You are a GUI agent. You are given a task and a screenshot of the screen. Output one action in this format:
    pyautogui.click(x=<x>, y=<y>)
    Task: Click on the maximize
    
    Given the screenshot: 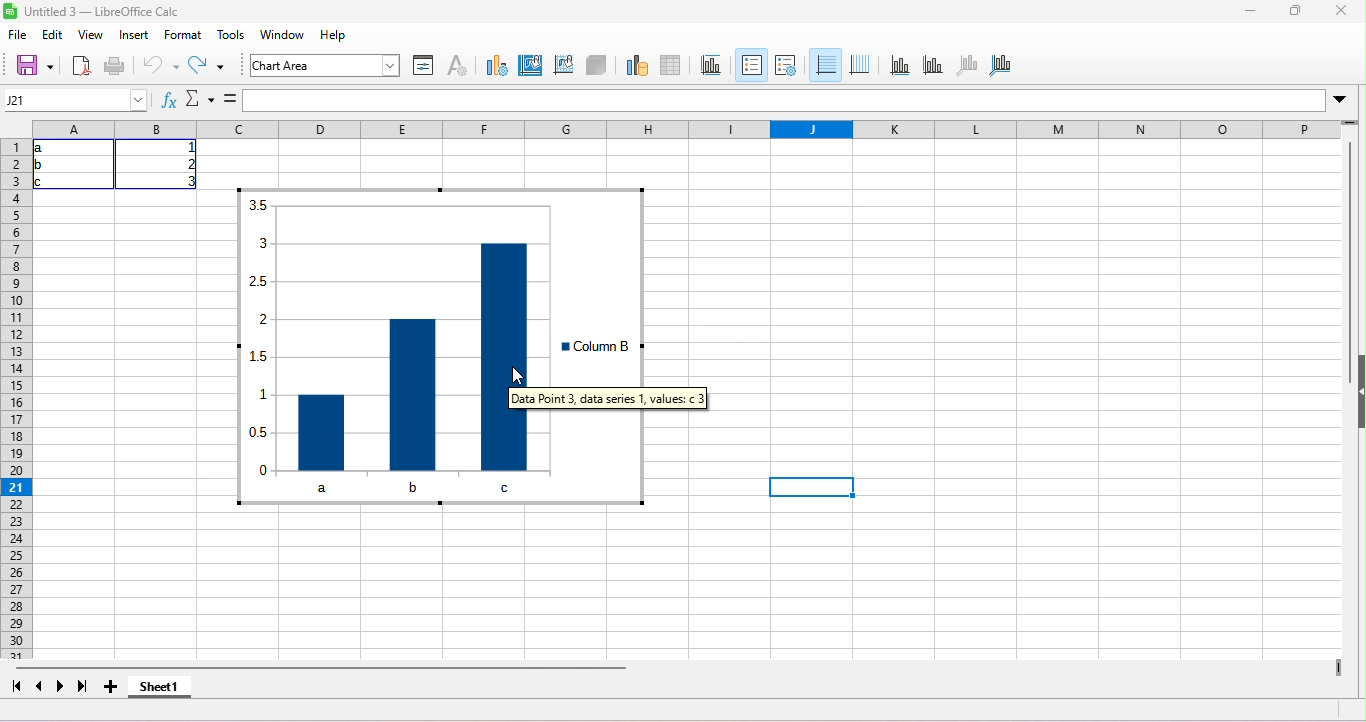 What is the action you would take?
    pyautogui.click(x=1294, y=13)
    